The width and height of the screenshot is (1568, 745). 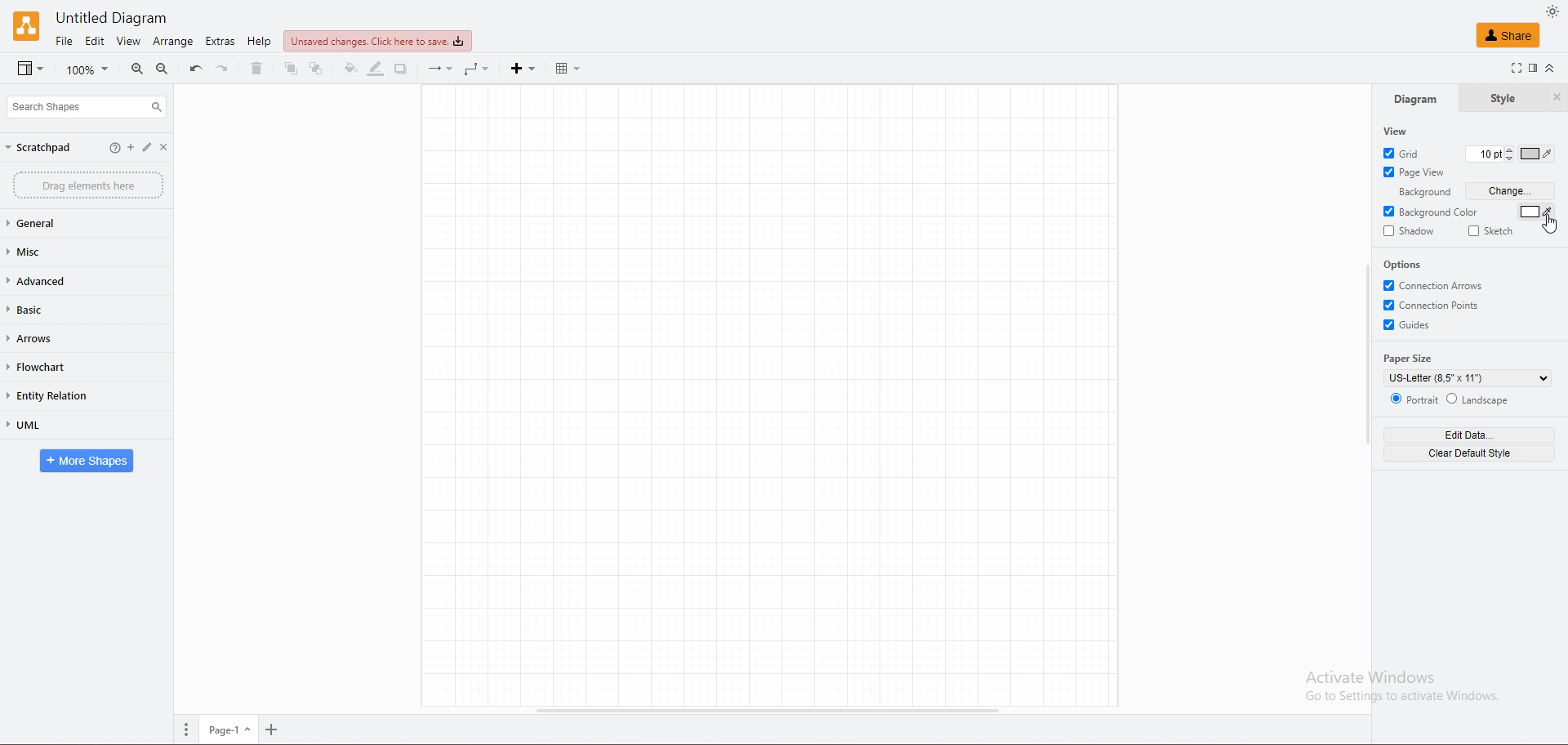 What do you see at coordinates (1557, 98) in the screenshot?
I see `hide` at bounding box center [1557, 98].